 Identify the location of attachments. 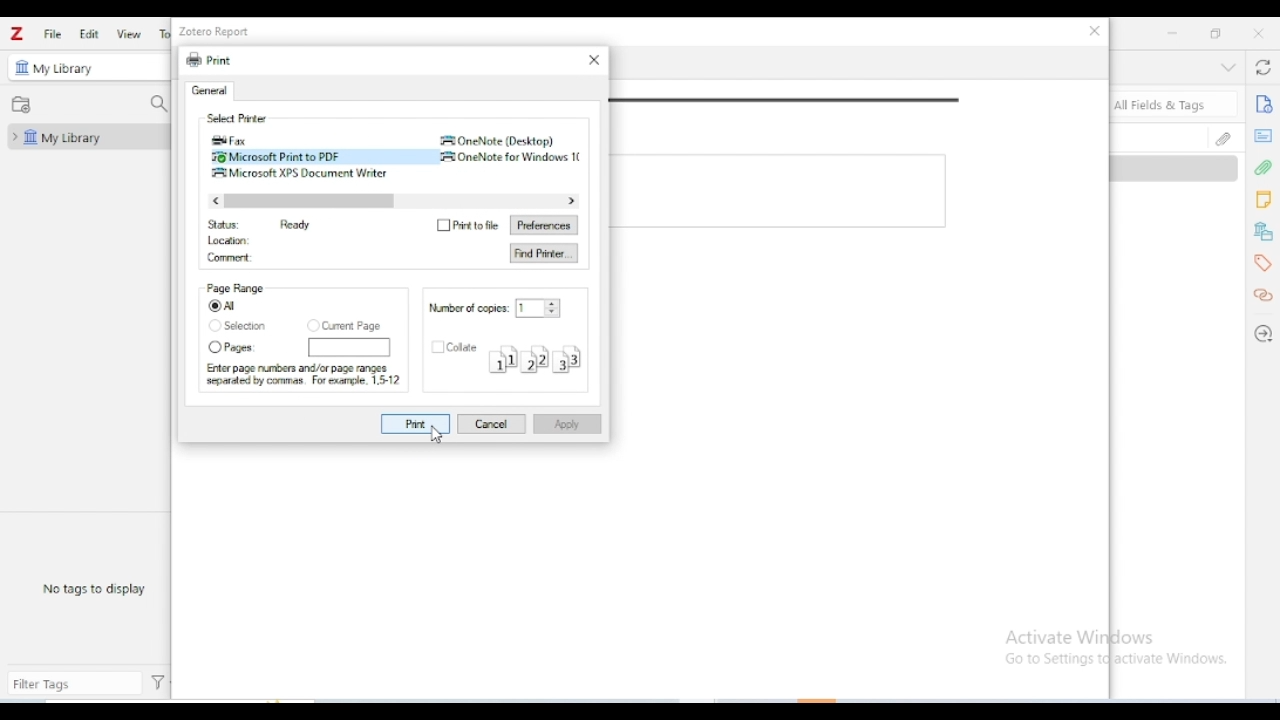
(1223, 138).